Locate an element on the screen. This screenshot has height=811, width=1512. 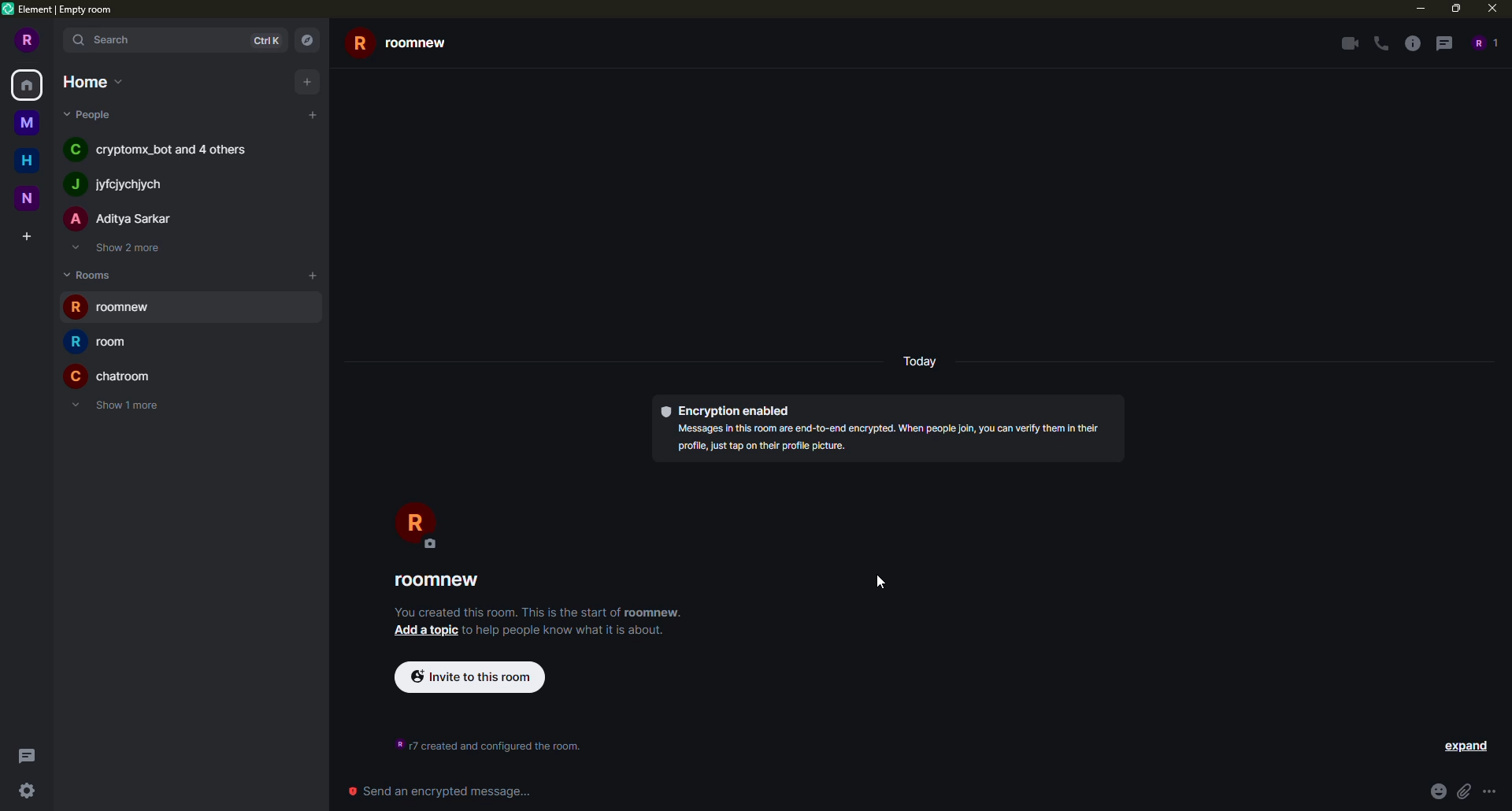
people is located at coordinates (120, 218).